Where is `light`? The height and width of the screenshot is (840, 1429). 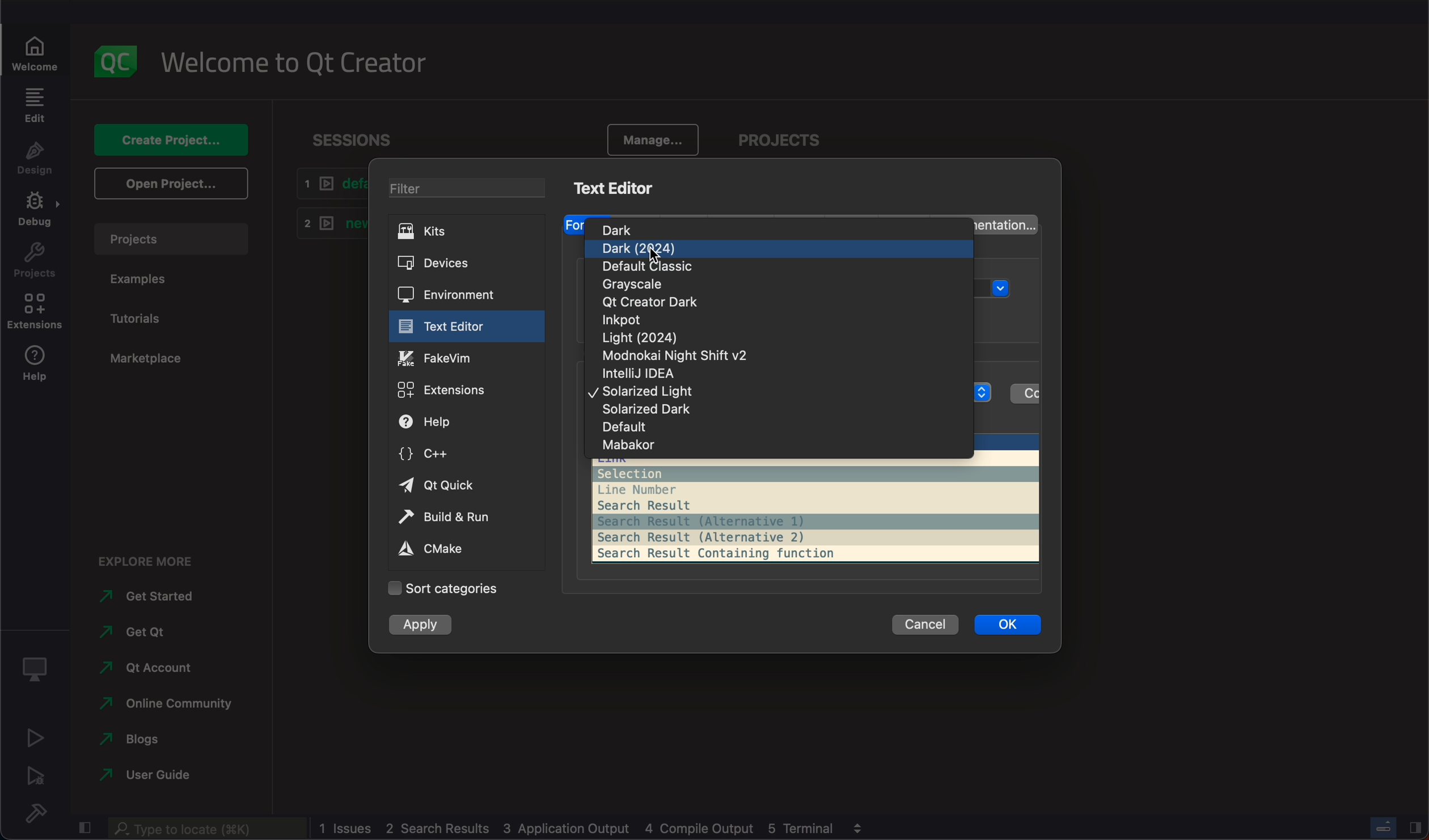 light is located at coordinates (644, 338).